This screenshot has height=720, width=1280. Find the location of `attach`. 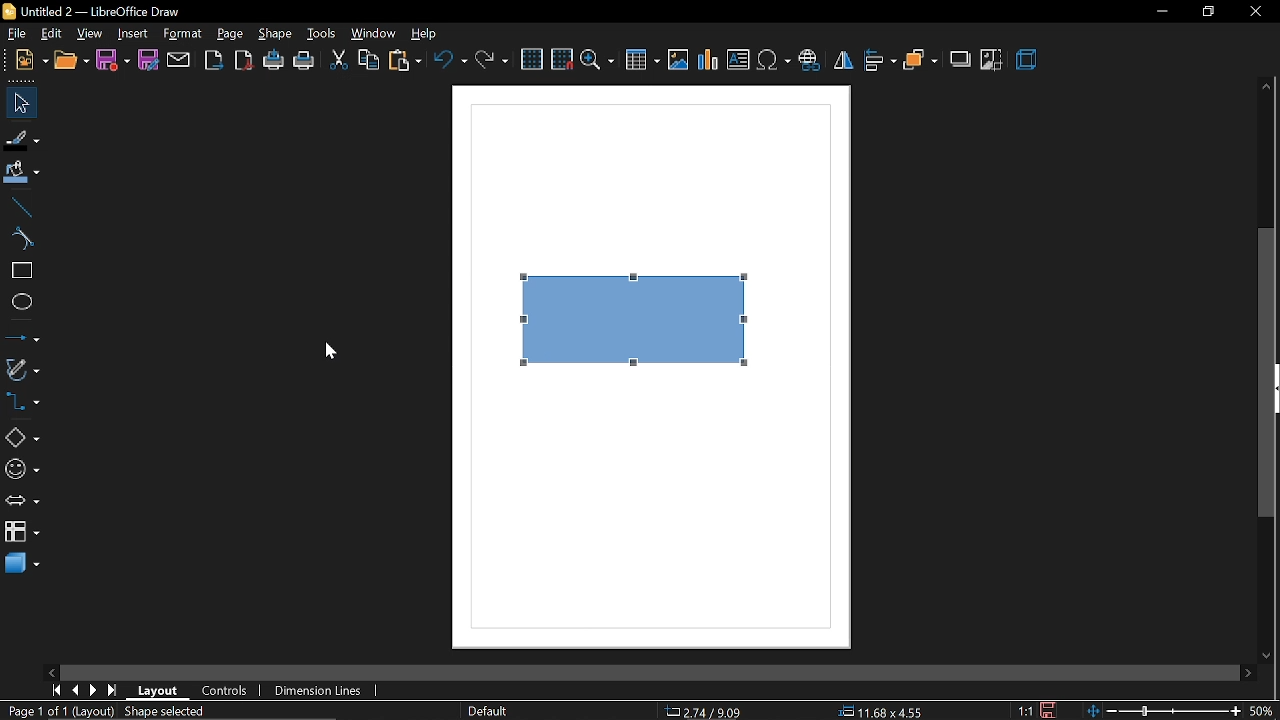

attach is located at coordinates (178, 62).